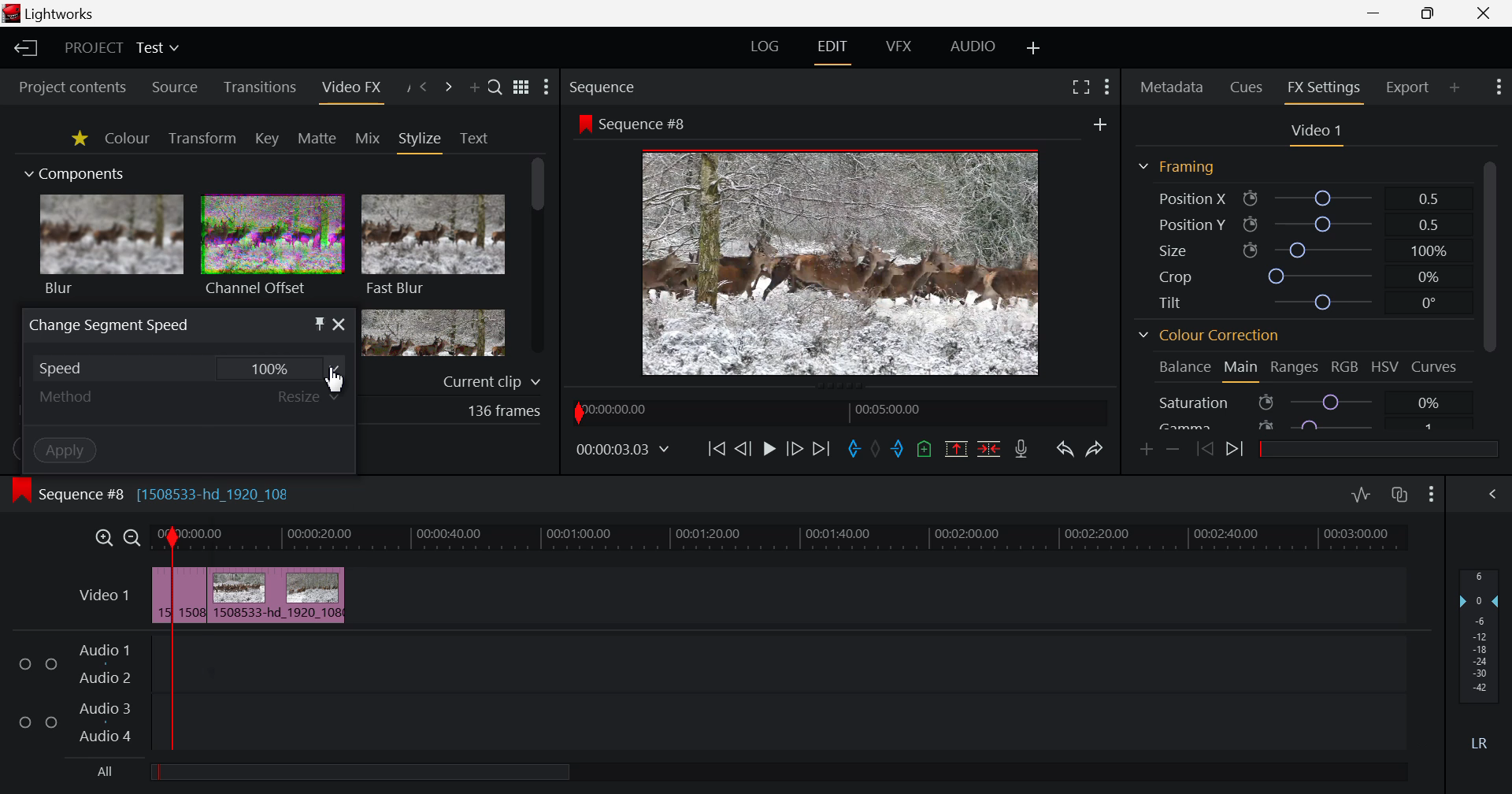  What do you see at coordinates (189, 368) in the screenshot?
I see `Cursor on Speed` at bounding box center [189, 368].